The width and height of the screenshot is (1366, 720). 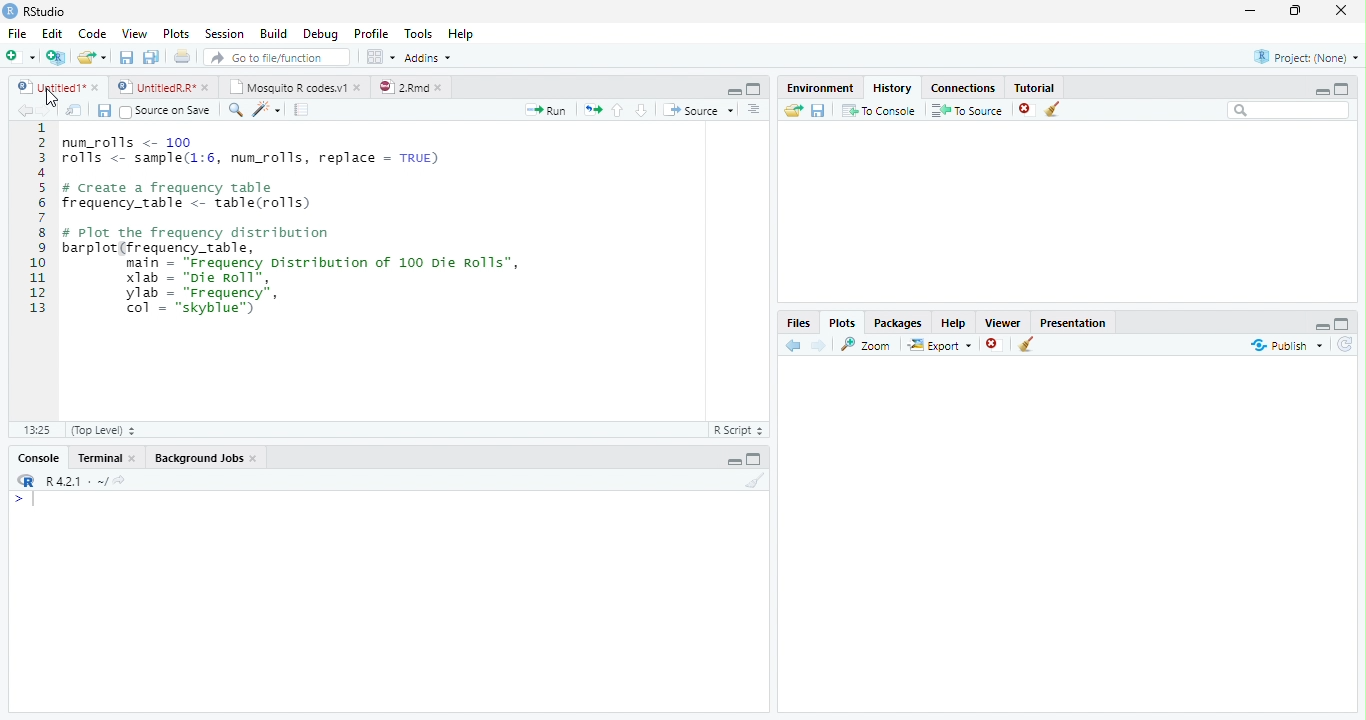 I want to click on Addins, so click(x=431, y=56).